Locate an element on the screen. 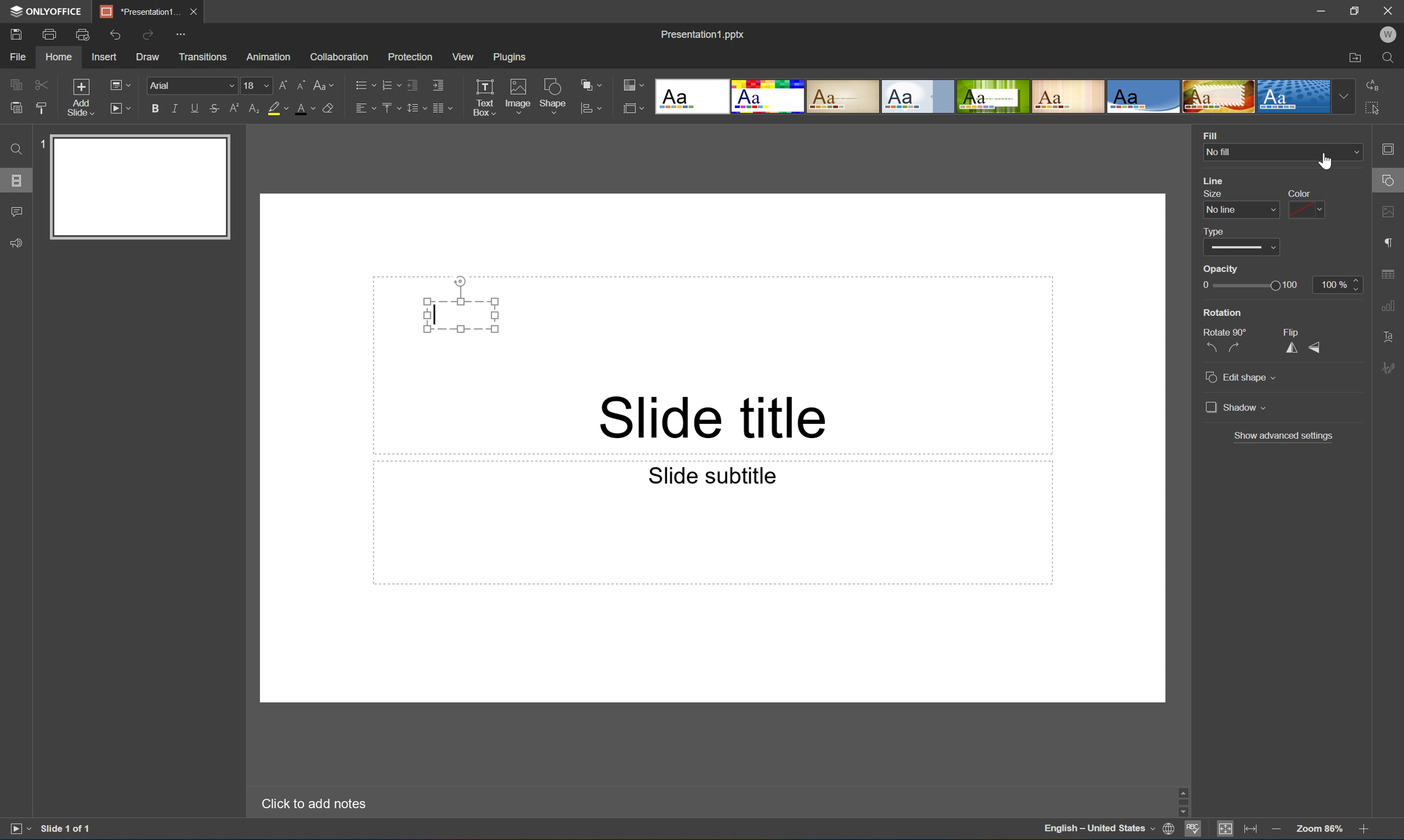 This screenshot has width=1404, height=840. Select slide size is located at coordinates (633, 110).